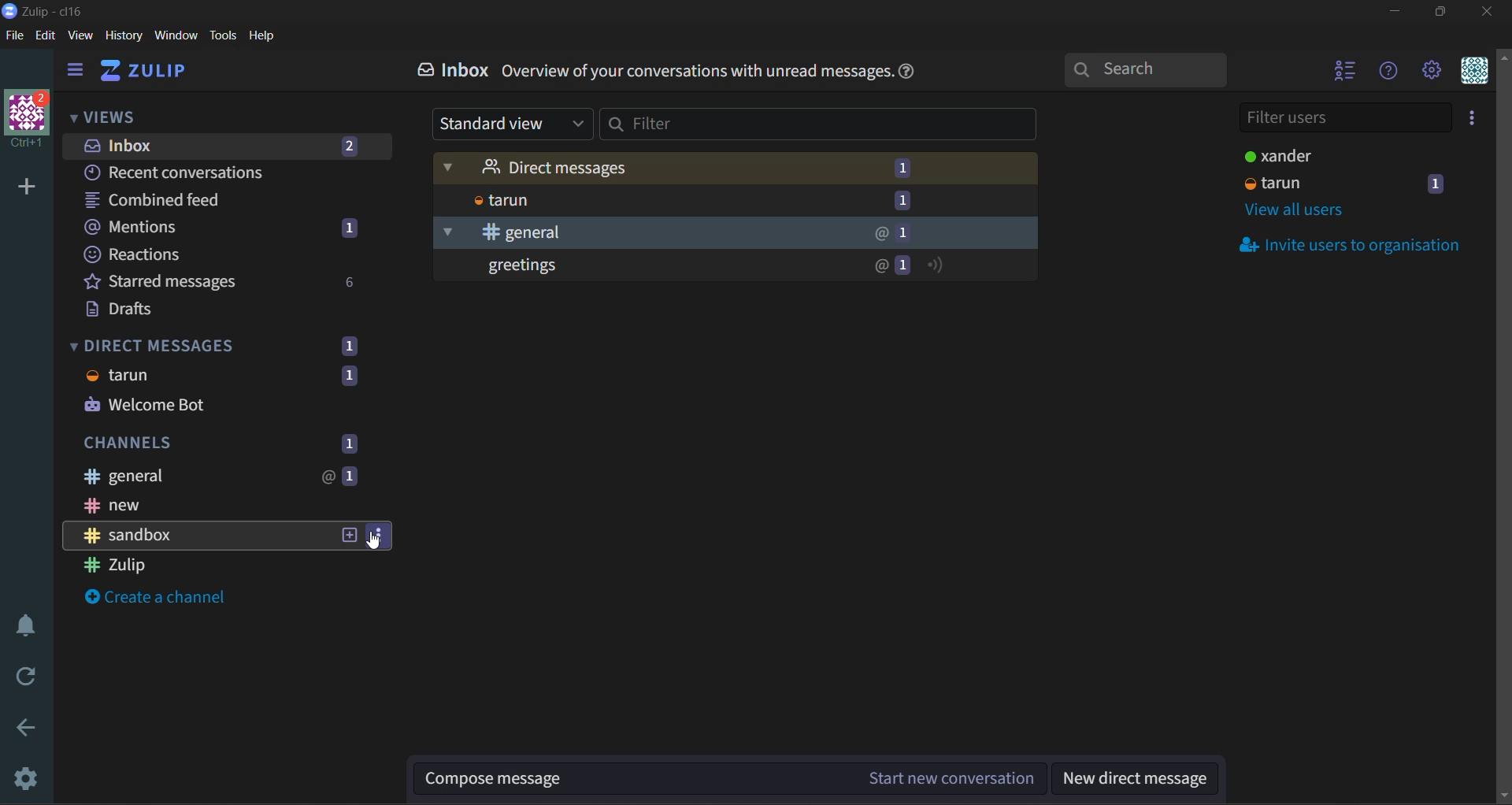  Describe the element at coordinates (737, 268) in the screenshot. I see `unread messages` at that location.